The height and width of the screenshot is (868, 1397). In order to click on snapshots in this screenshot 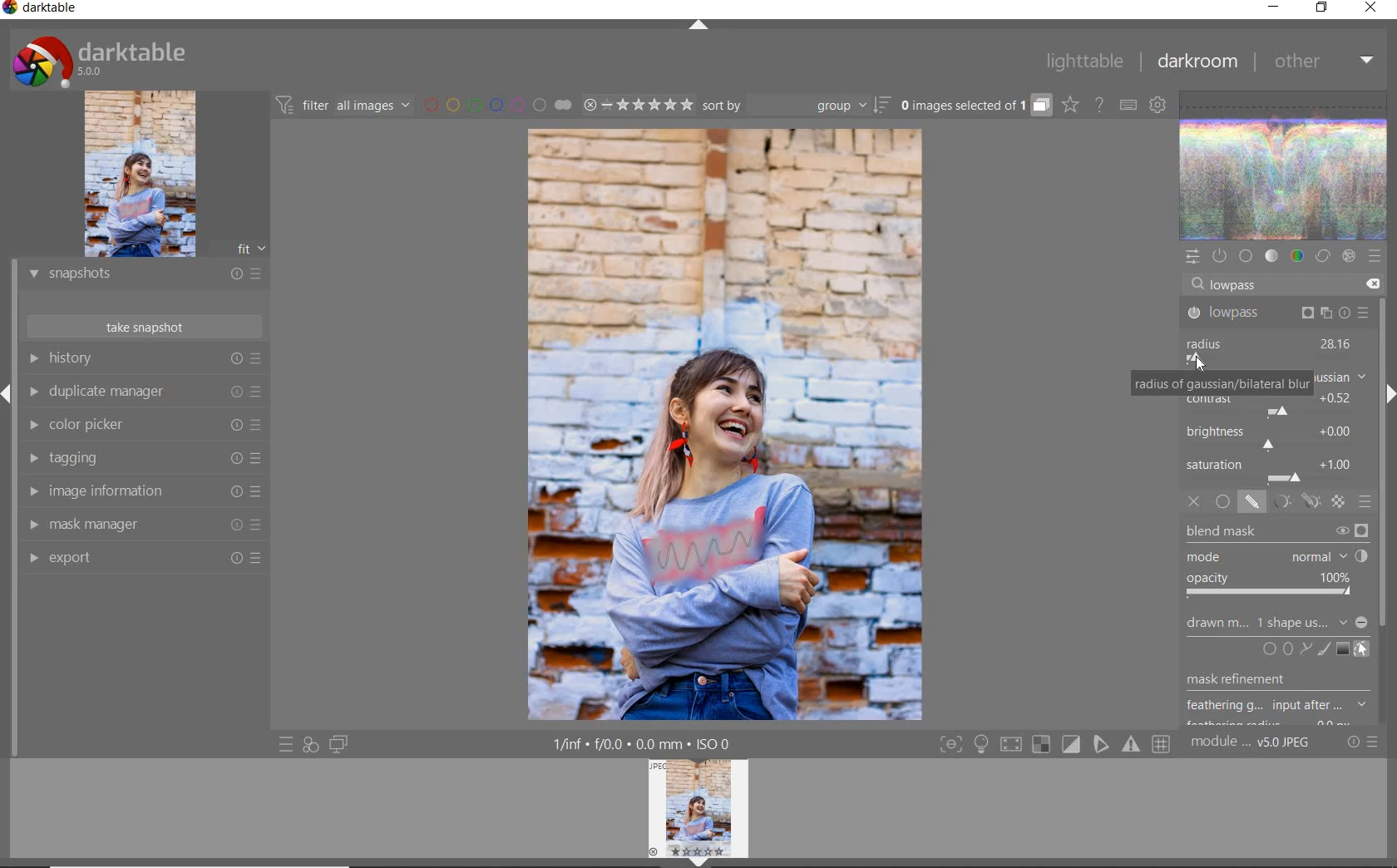, I will do `click(144, 277)`.